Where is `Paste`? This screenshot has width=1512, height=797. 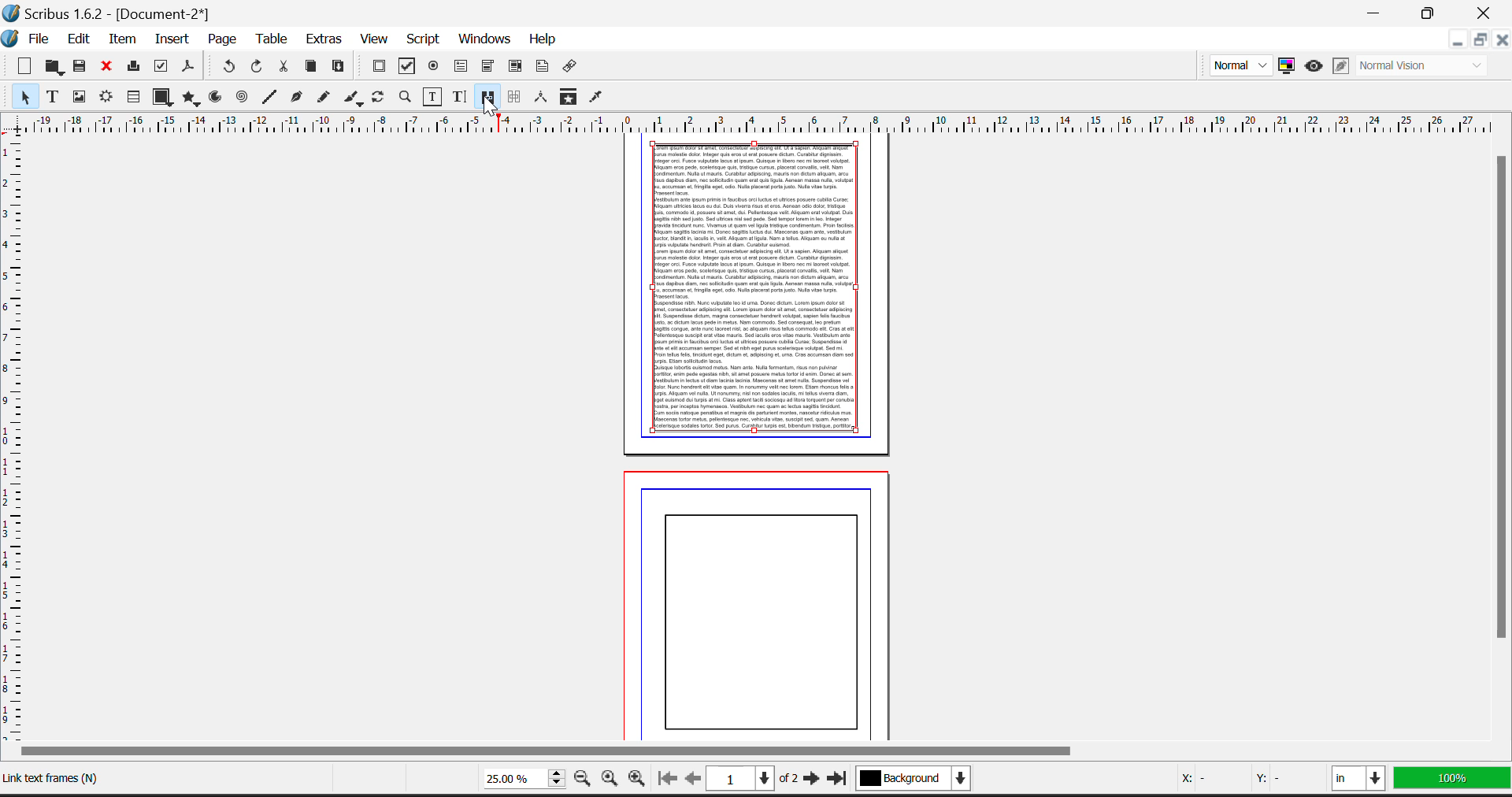 Paste is located at coordinates (339, 68).